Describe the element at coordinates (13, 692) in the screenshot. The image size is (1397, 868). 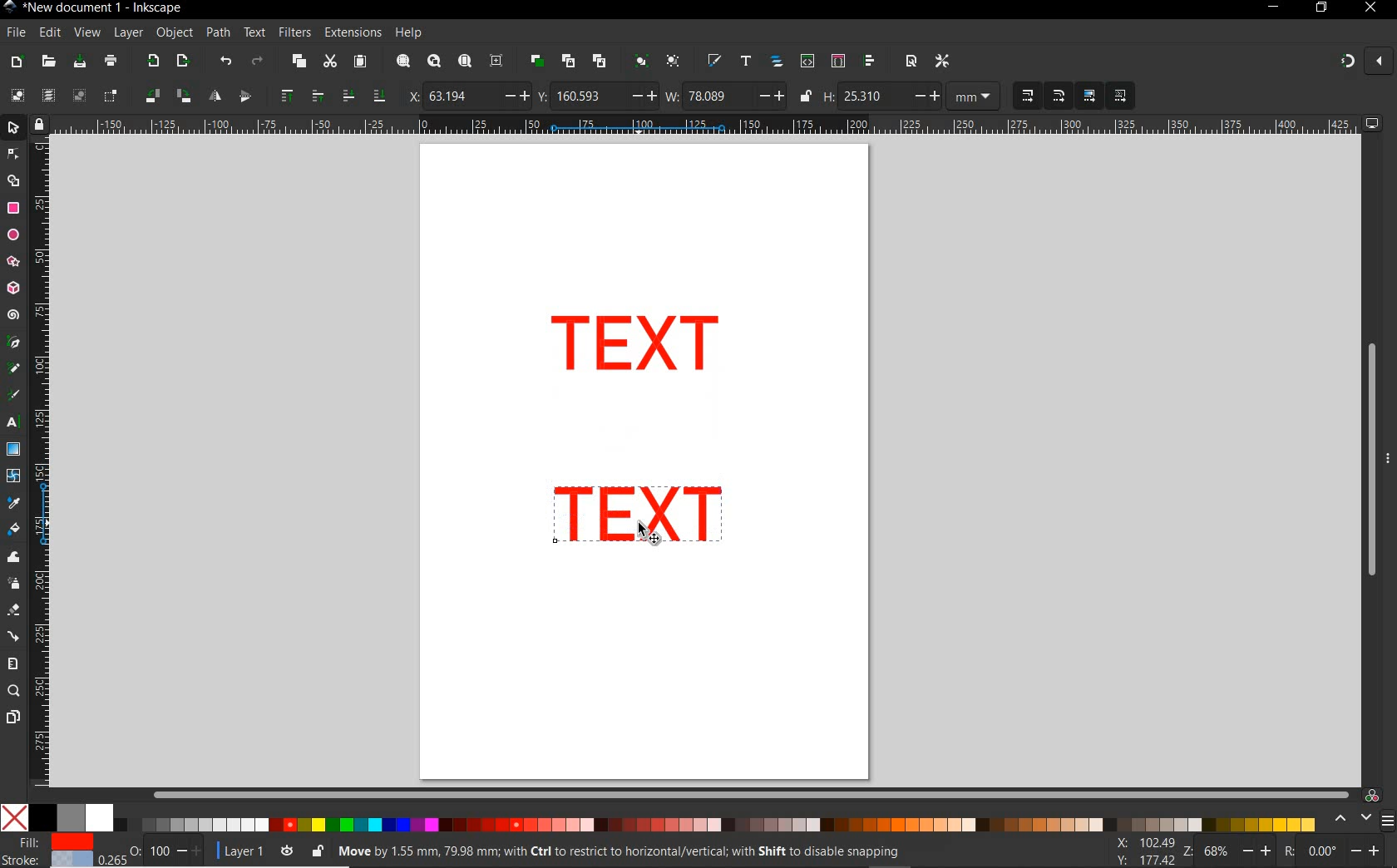
I see `zoom tool` at that location.